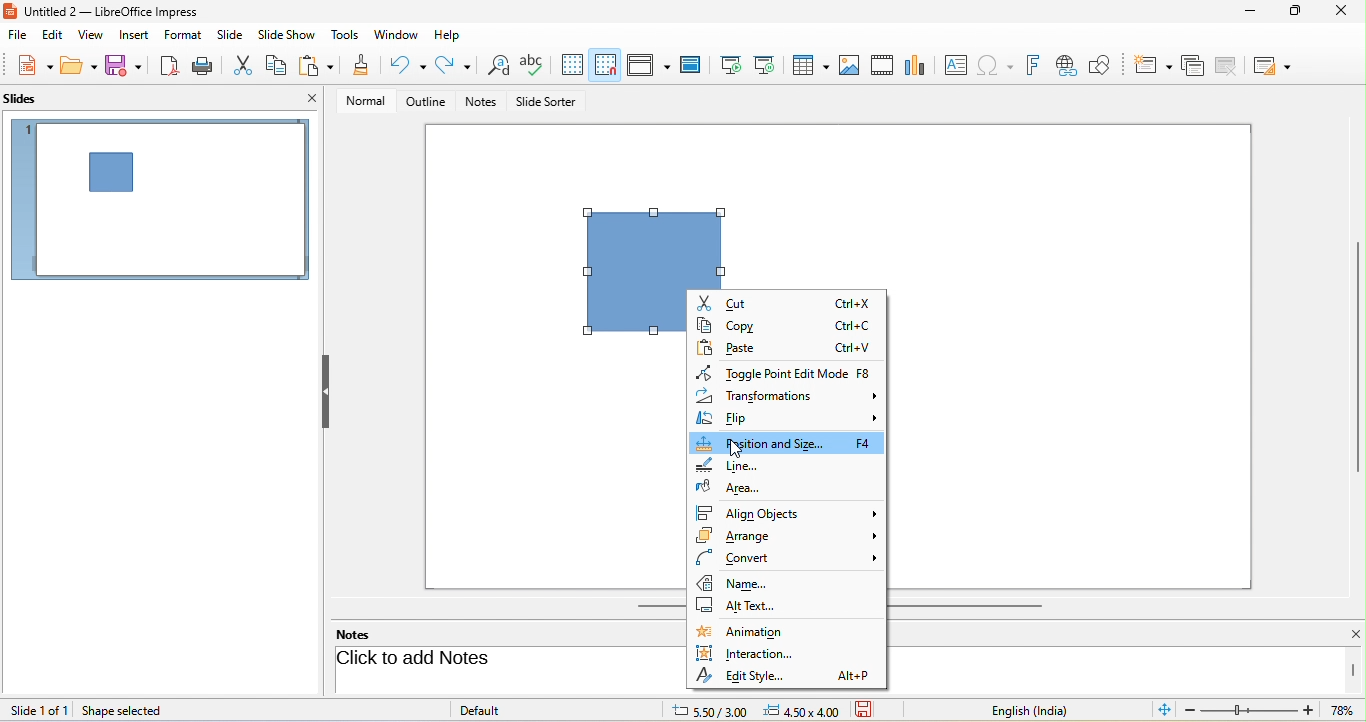 The height and width of the screenshot is (722, 1366). I want to click on font work text, so click(1036, 63).